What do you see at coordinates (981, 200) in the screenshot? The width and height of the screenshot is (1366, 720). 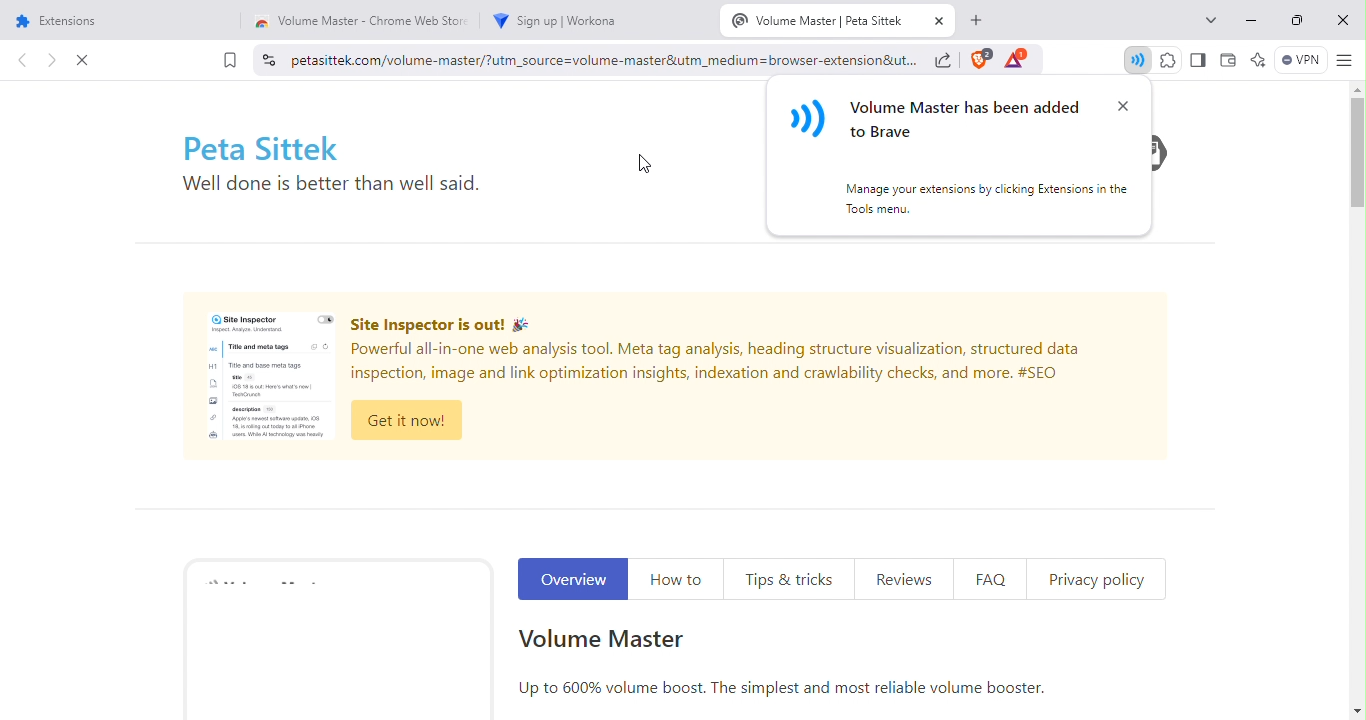 I see `Information` at bounding box center [981, 200].